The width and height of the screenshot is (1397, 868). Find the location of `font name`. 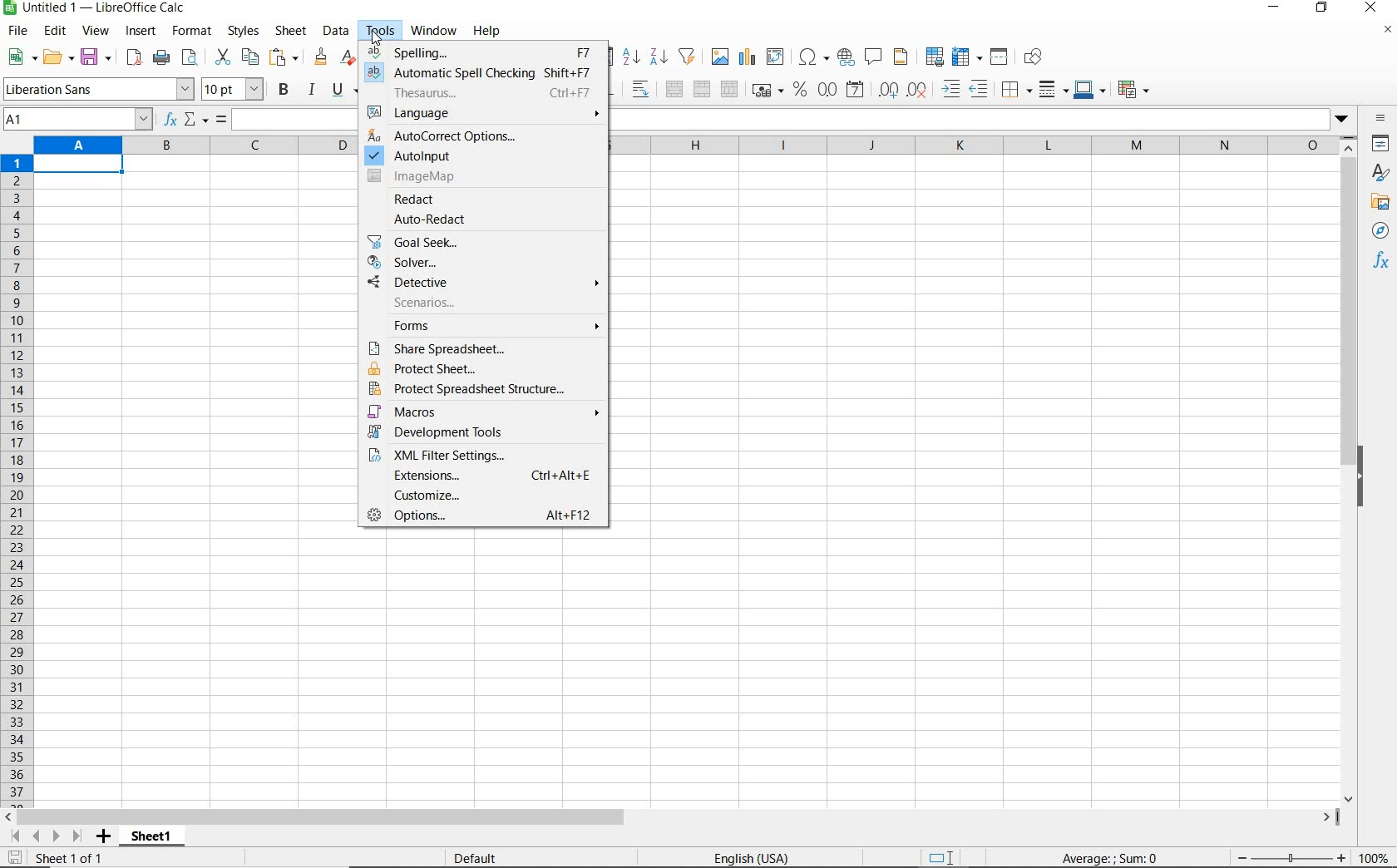

font name is located at coordinates (97, 89).